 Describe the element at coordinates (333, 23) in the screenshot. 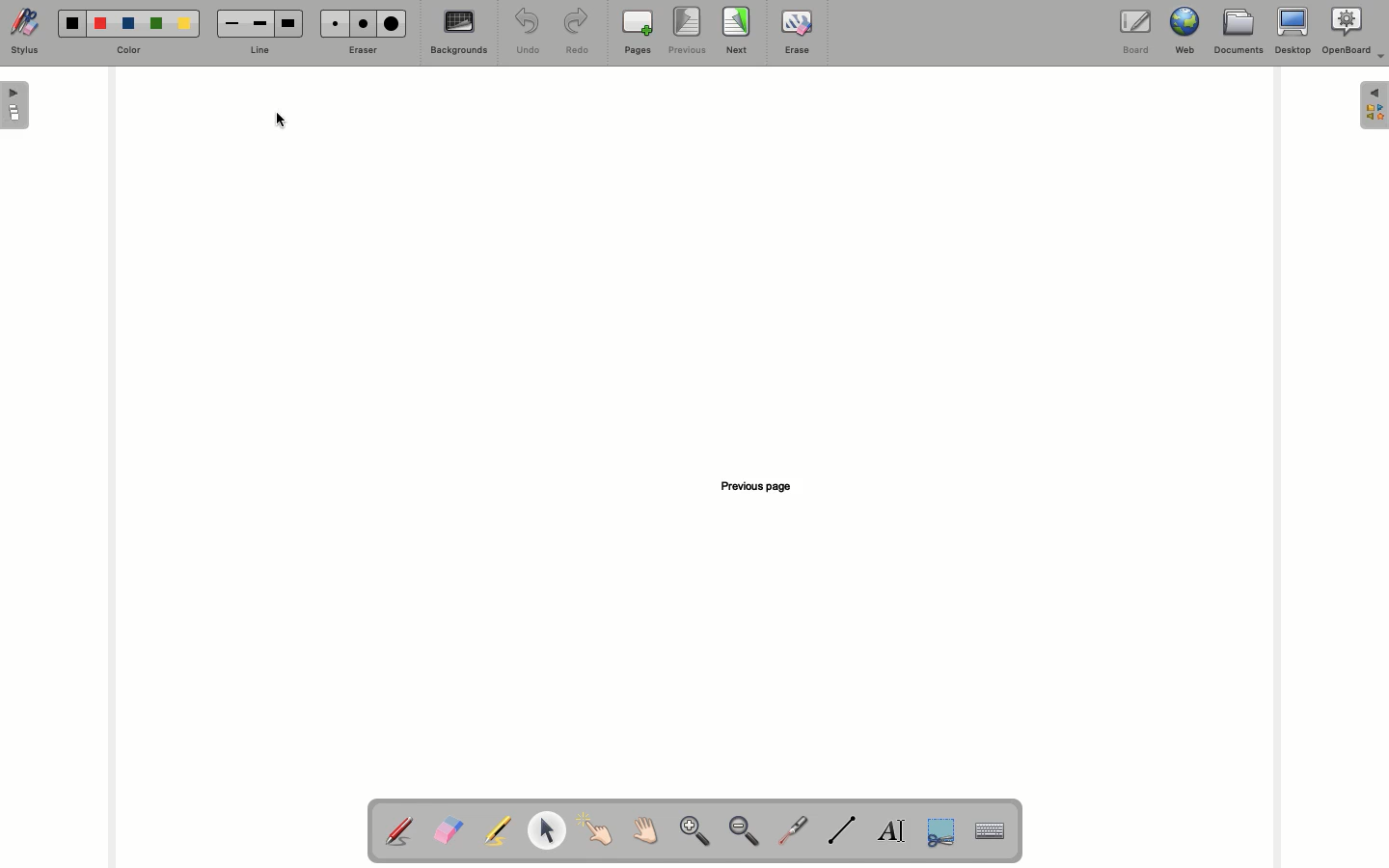

I see `Small eraser` at that location.